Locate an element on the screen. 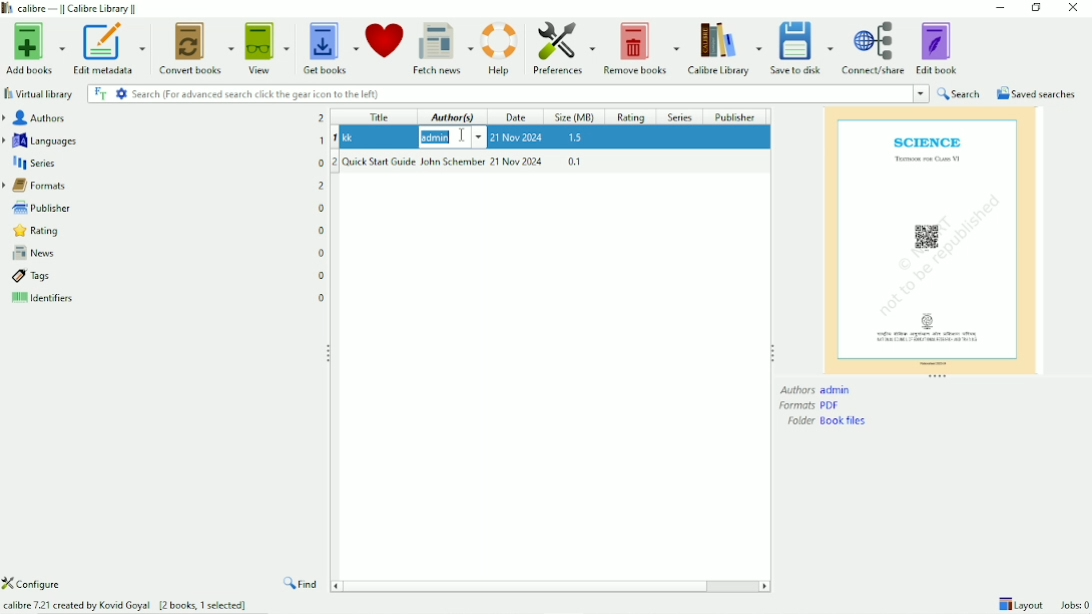 The width and height of the screenshot is (1092, 614). View is located at coordinates (267, 49).